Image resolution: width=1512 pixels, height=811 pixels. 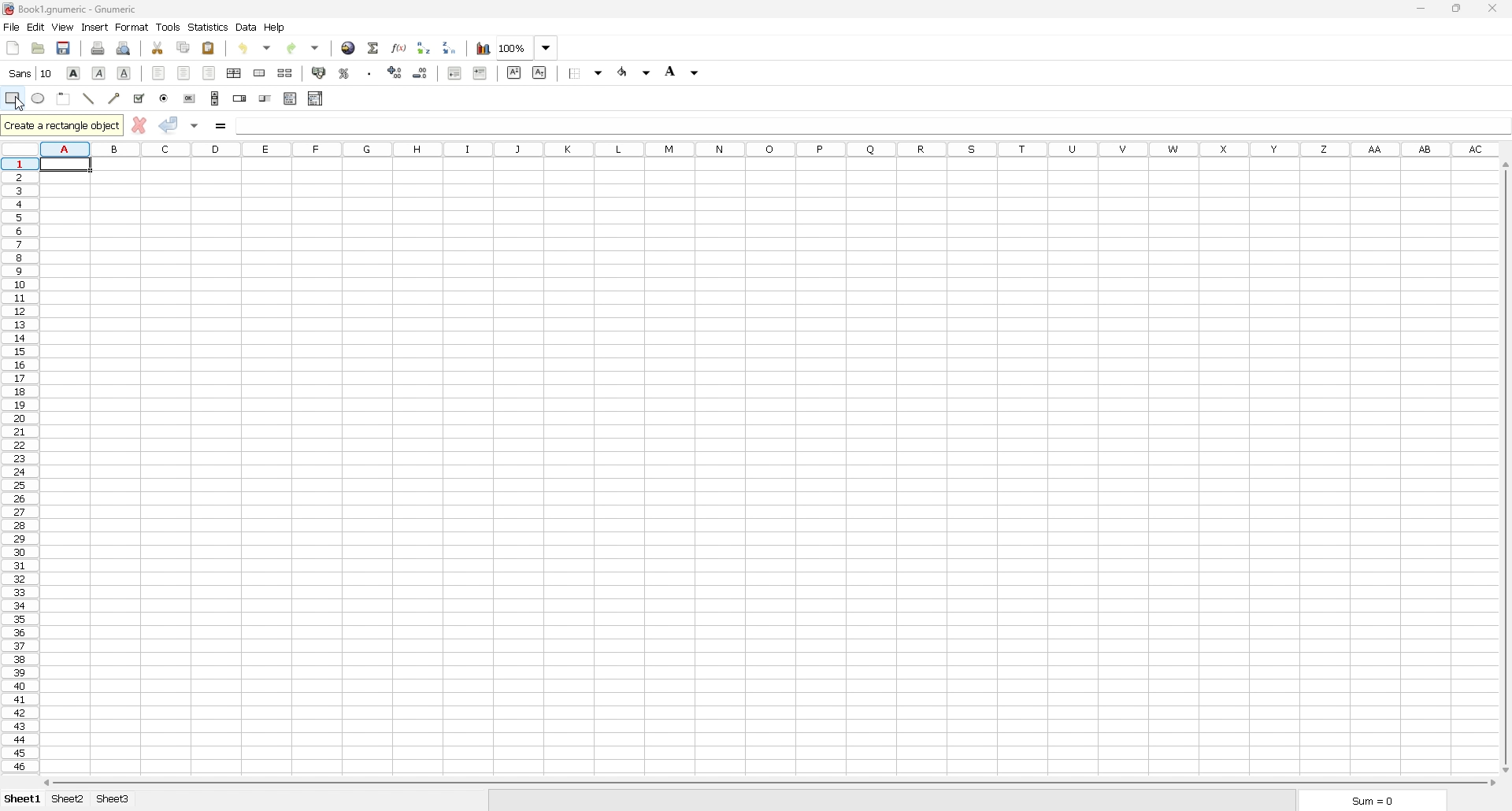 I want to click on statistics, so click(x=208, y=28).